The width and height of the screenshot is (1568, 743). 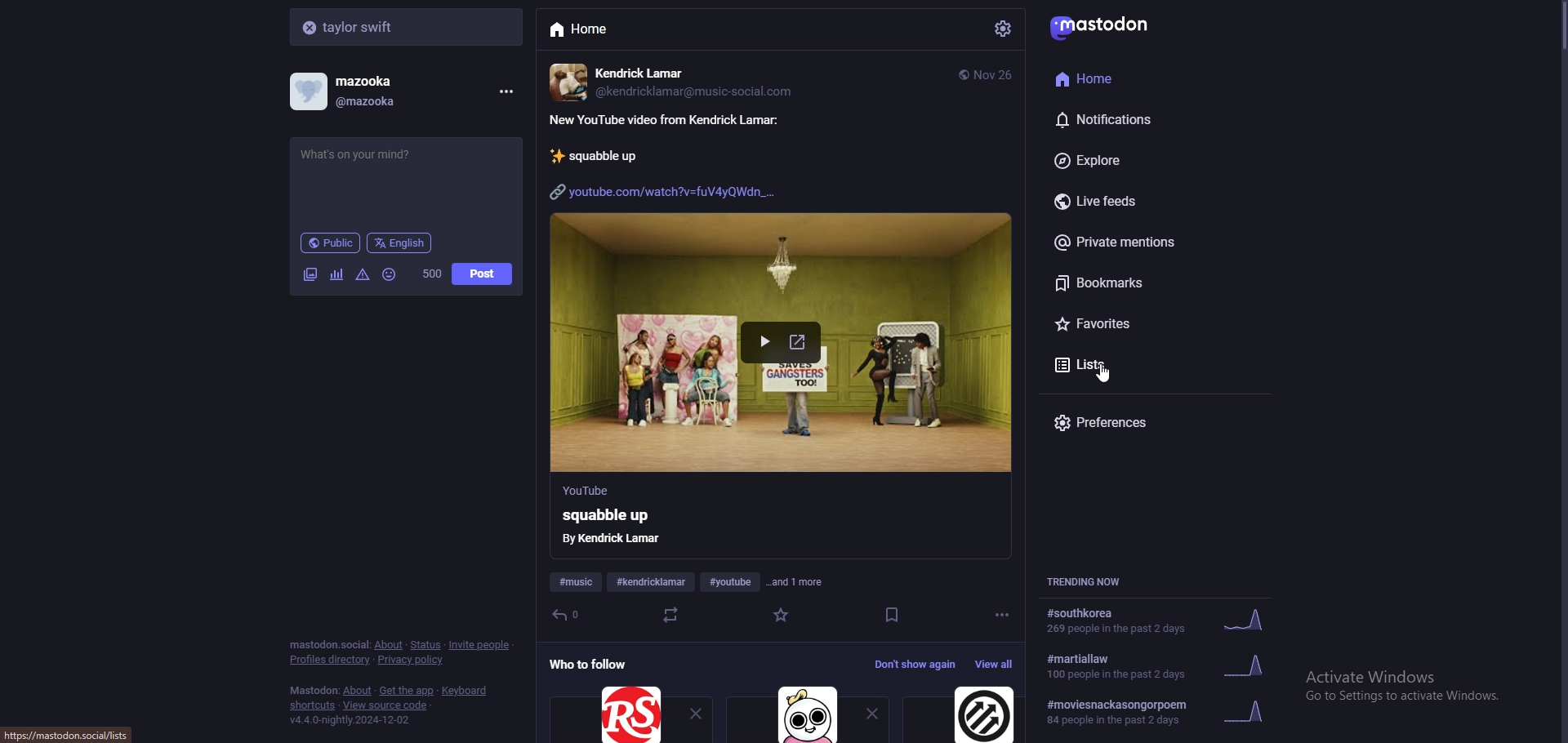 I want to click on home, so click(x=1135, y=78).